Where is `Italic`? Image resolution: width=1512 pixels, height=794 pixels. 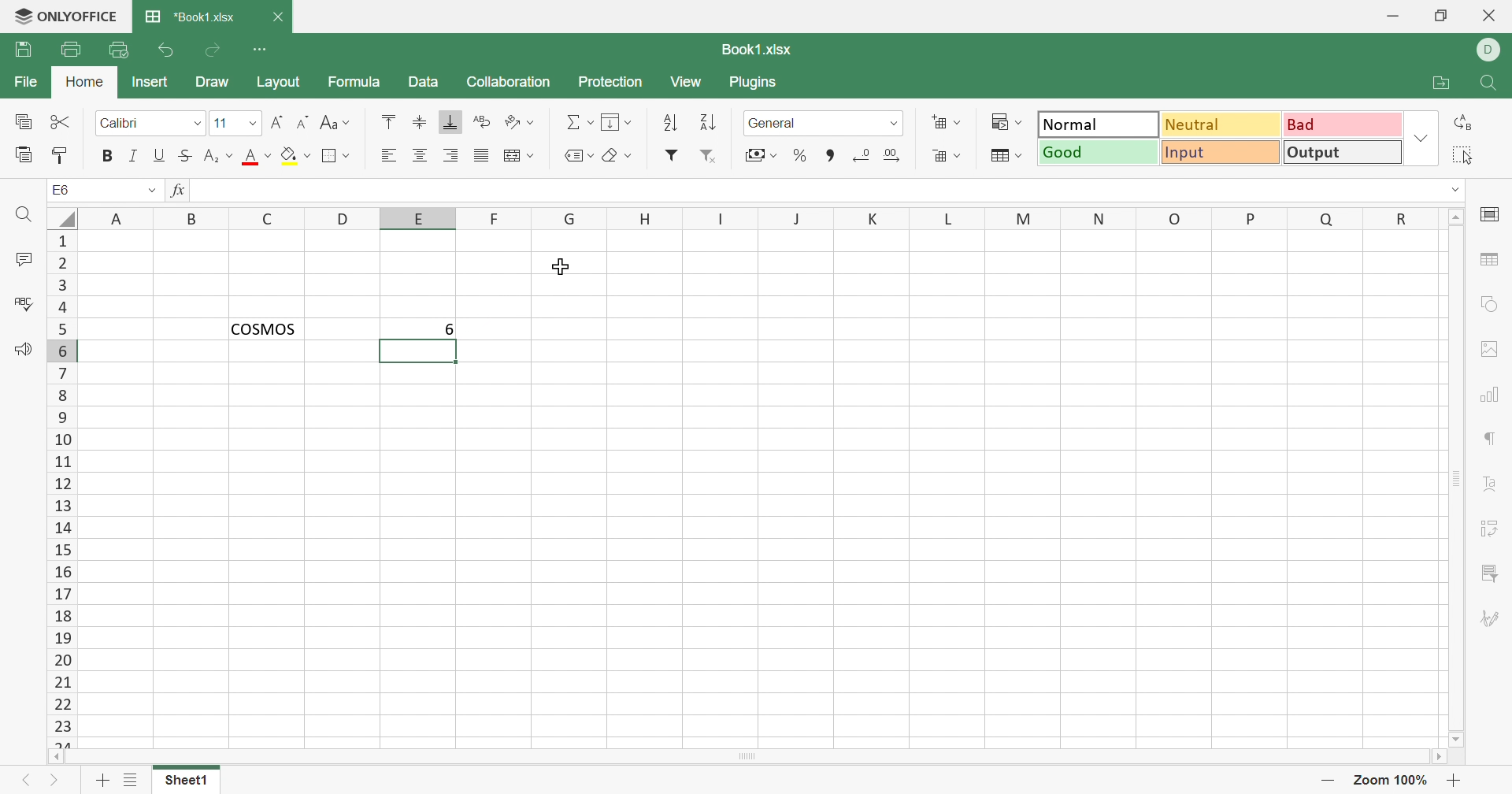 Italic is located at coordinates (133, 156).